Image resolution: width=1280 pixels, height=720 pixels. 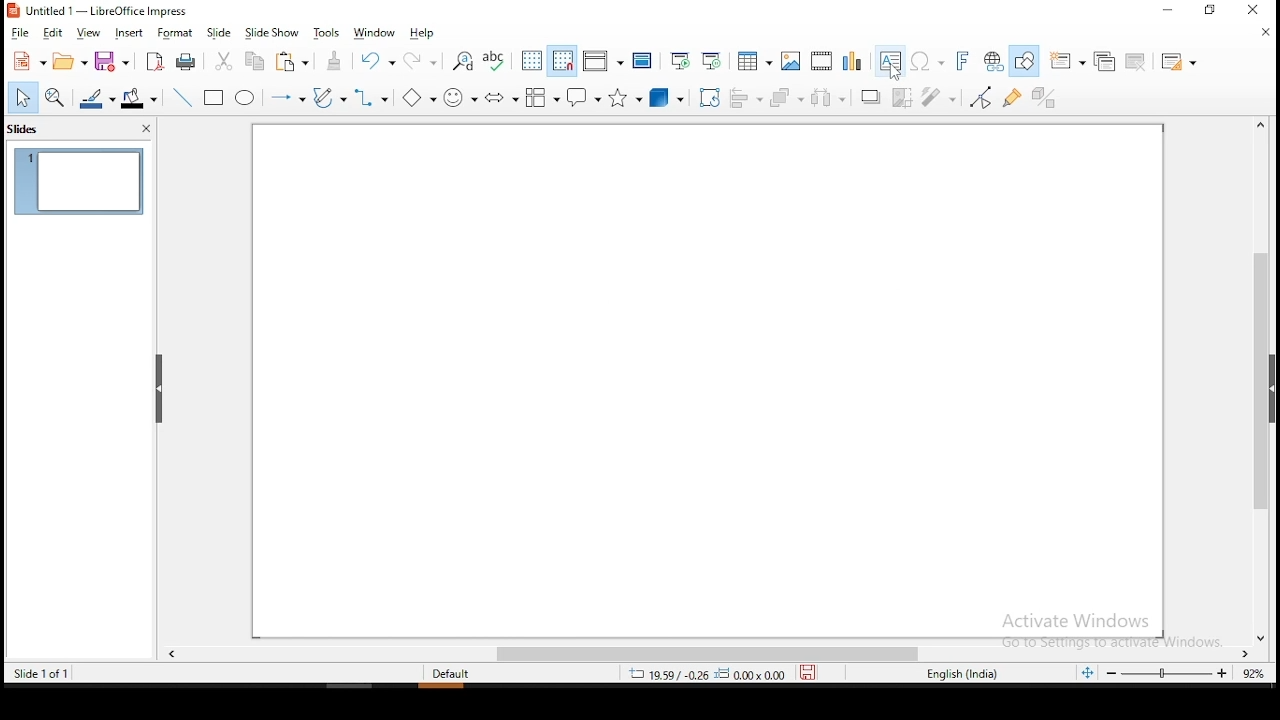 What do you see at coordinates (26, 132) in the screenshot?
I see `slides` at bounding box center [26, 132].